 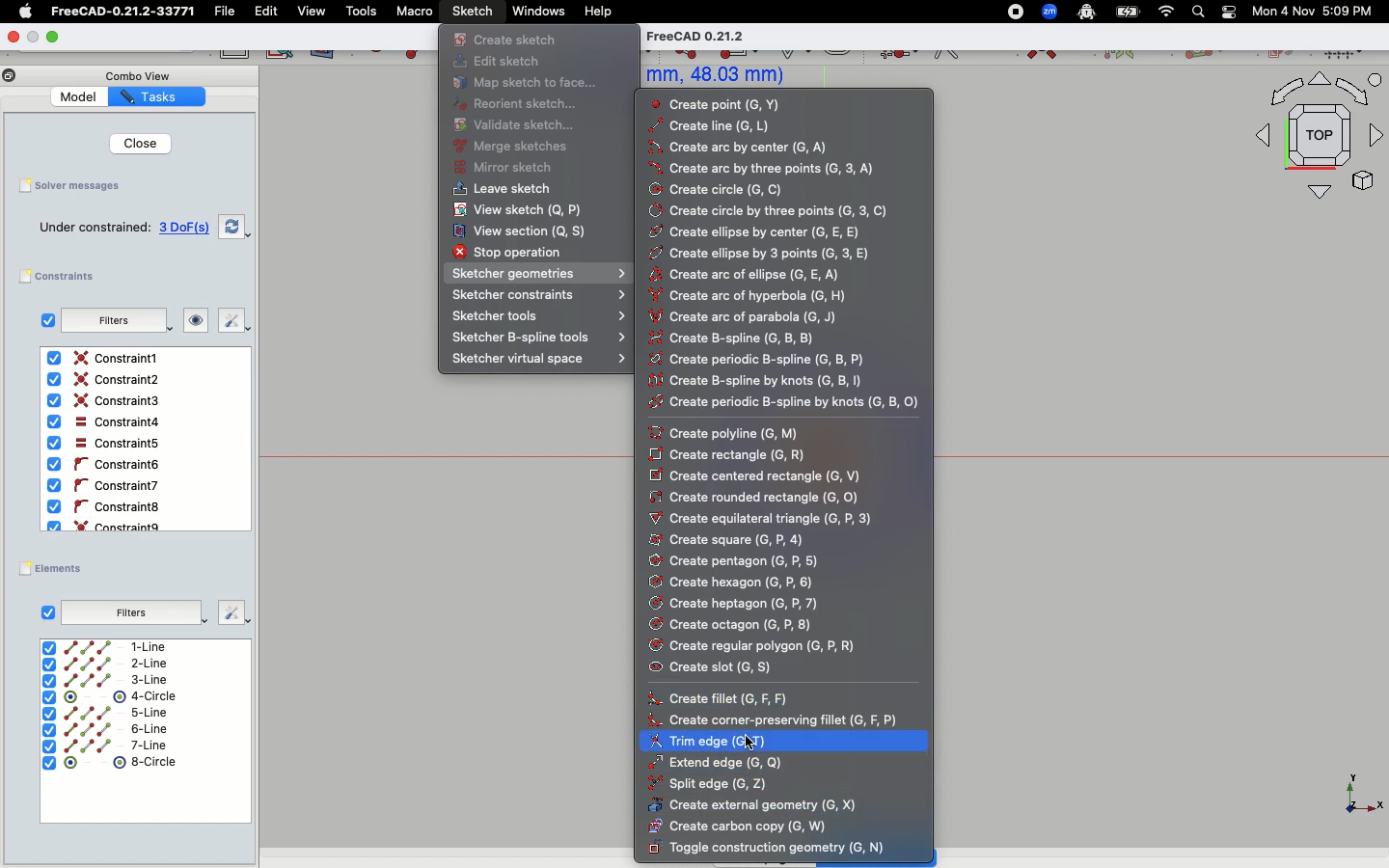 I want to click on mm, 48.03 mm), so click(x=720, y=74).